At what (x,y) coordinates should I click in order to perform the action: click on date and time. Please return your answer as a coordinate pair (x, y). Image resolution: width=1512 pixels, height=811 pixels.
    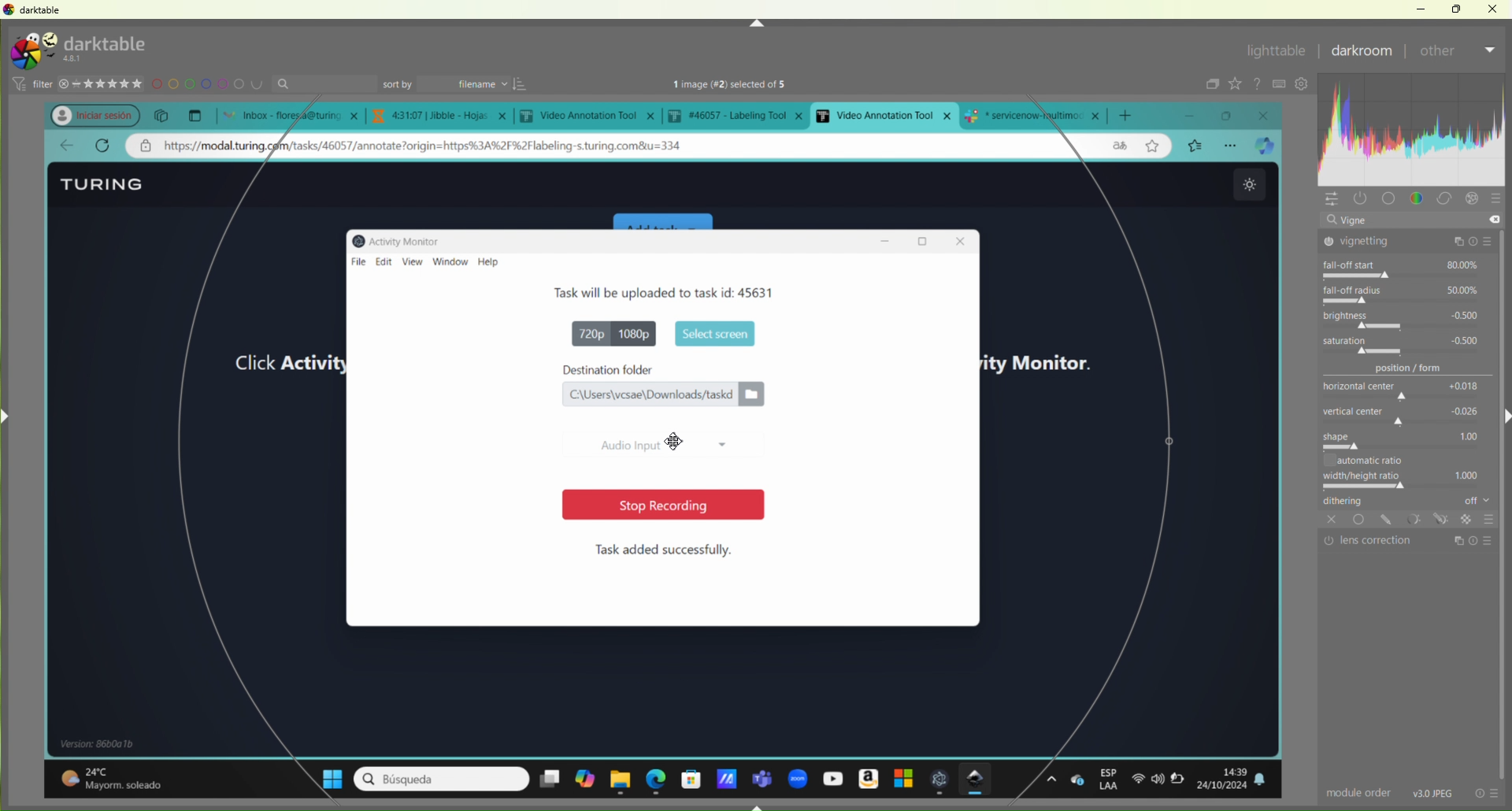
    Looking at the image, I should click on (1225, 777).